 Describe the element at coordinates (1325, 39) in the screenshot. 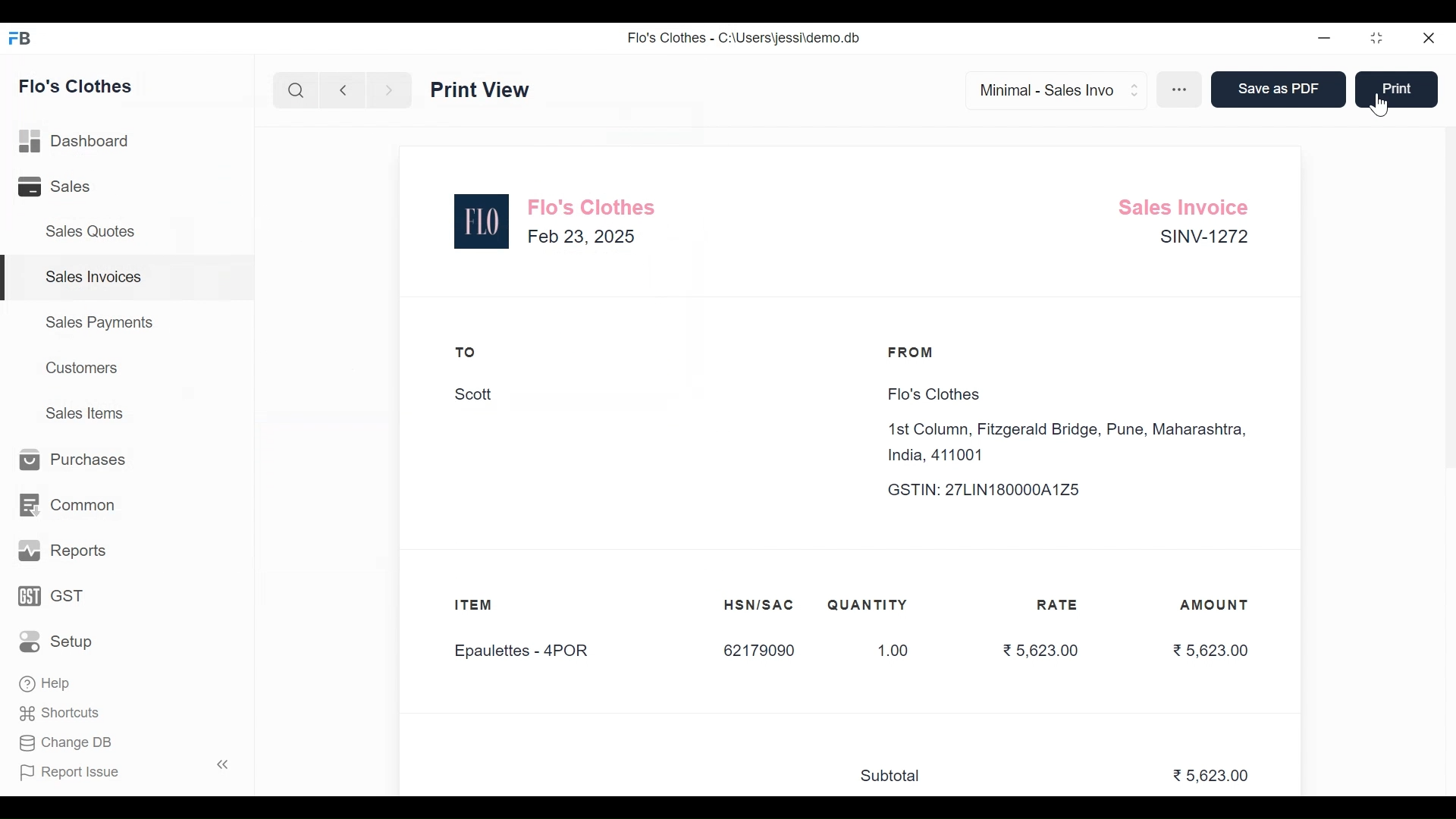

I see `Minimize` at that location.